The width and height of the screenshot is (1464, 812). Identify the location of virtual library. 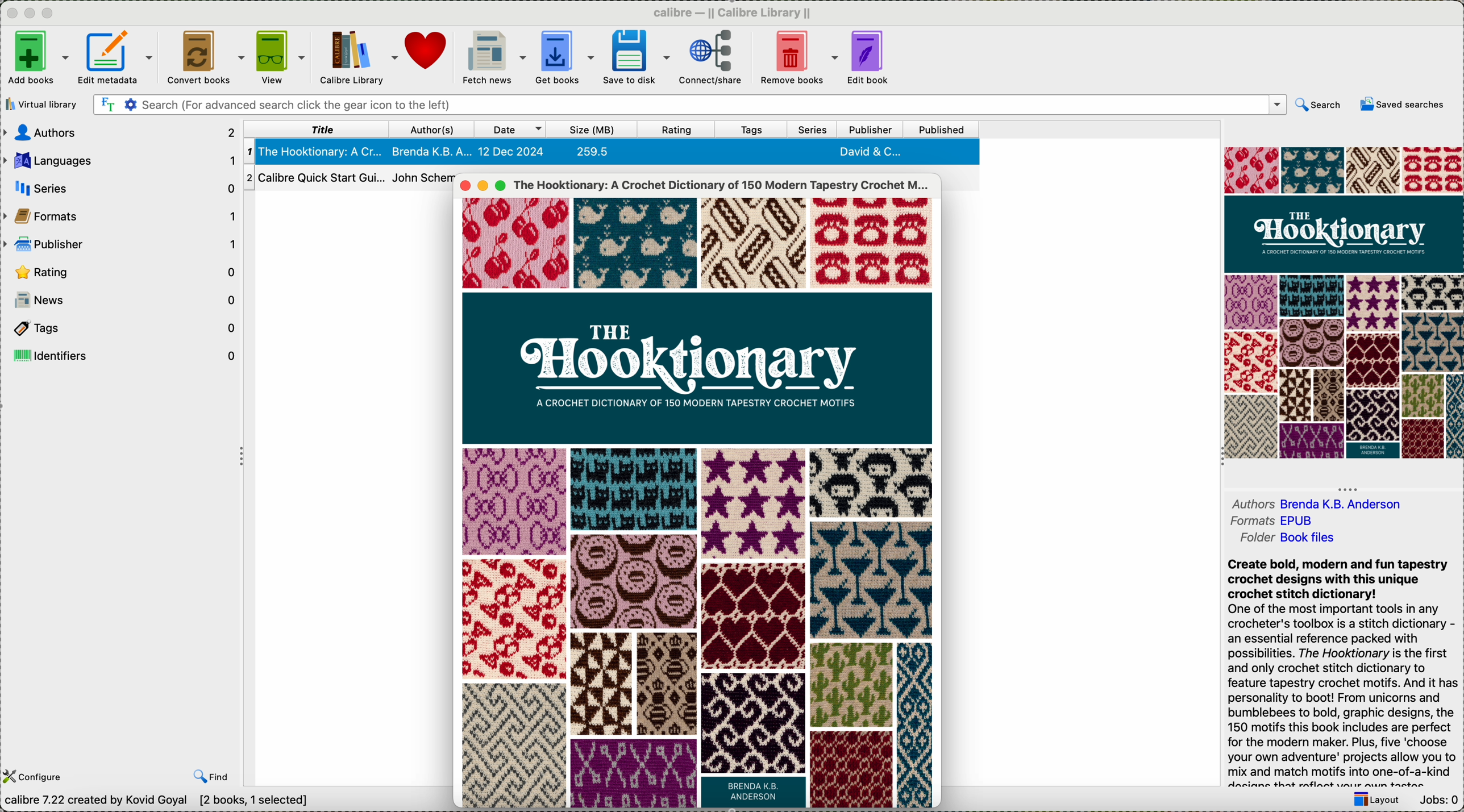
(45, 105).